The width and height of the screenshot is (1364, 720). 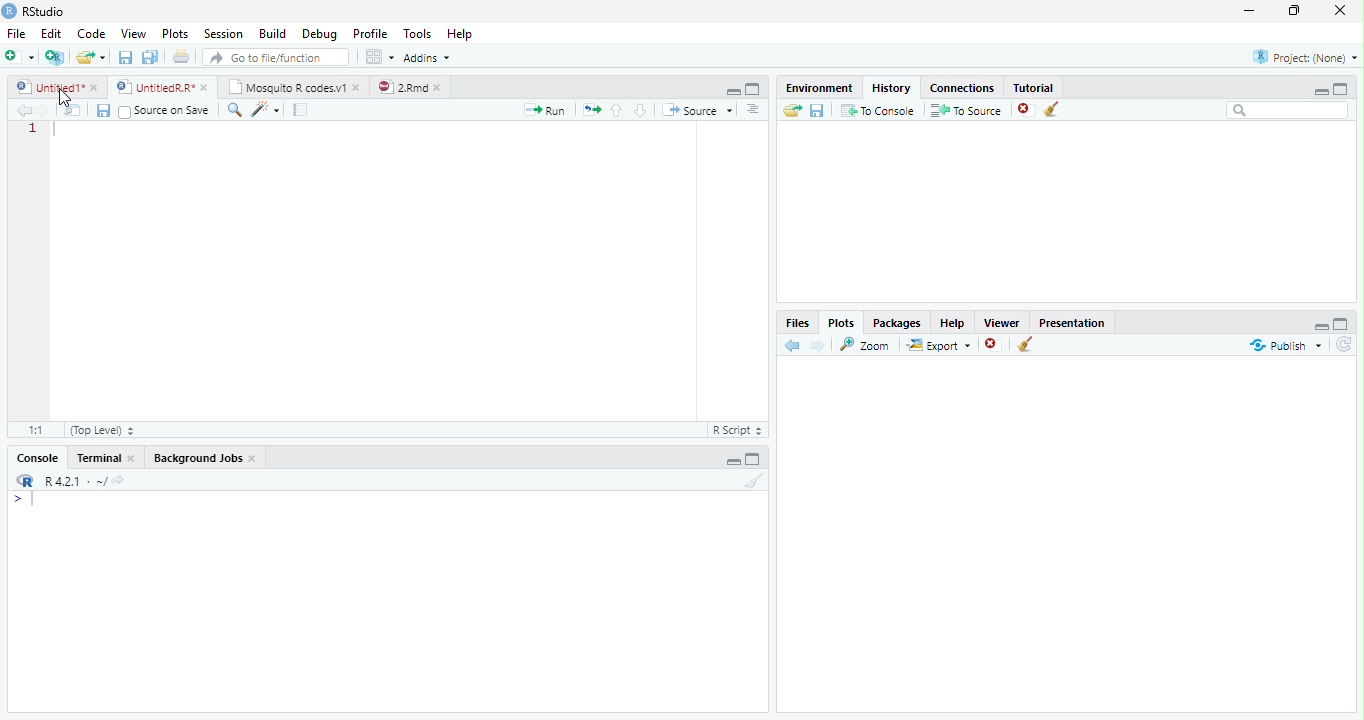 I want to click on Viewer, so click(x=1003, y=320).